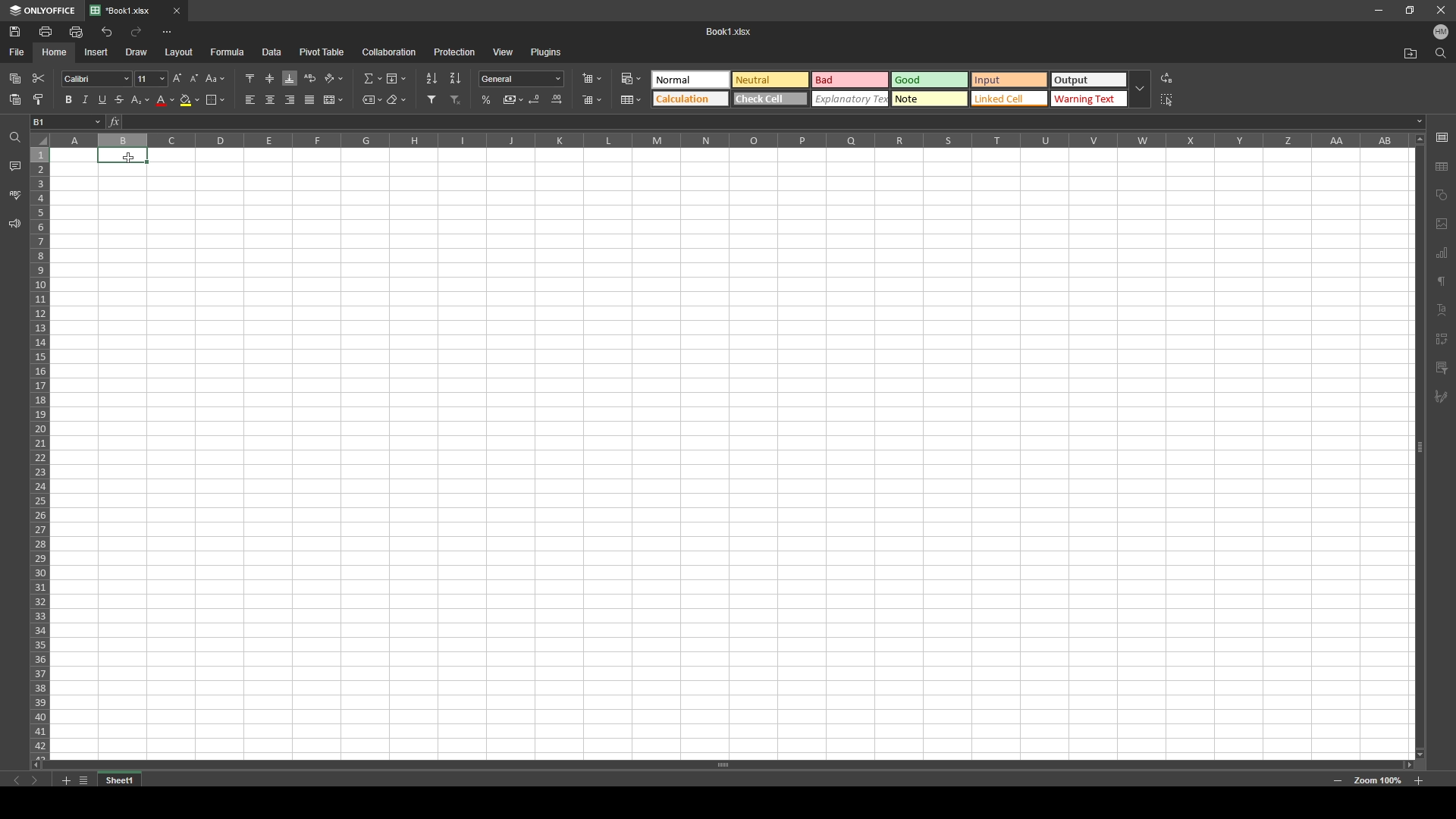 This screenshot has width=1456, height=819. Describe the element at coordinates (83, 780) in the screenshot. I see `sheet list` at that location.